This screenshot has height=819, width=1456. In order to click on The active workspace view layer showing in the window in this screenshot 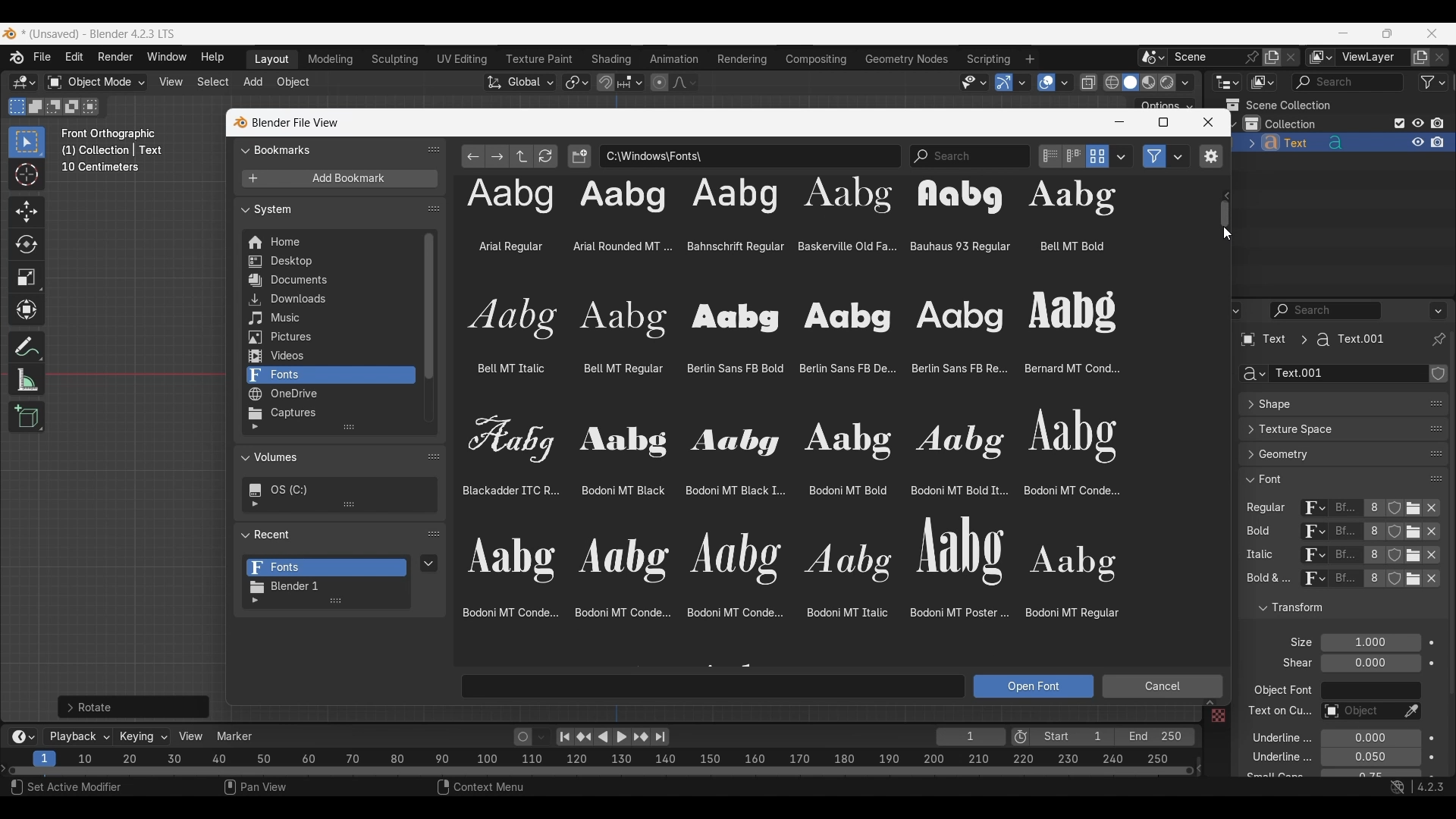, I will do `click(1321, 57)`.